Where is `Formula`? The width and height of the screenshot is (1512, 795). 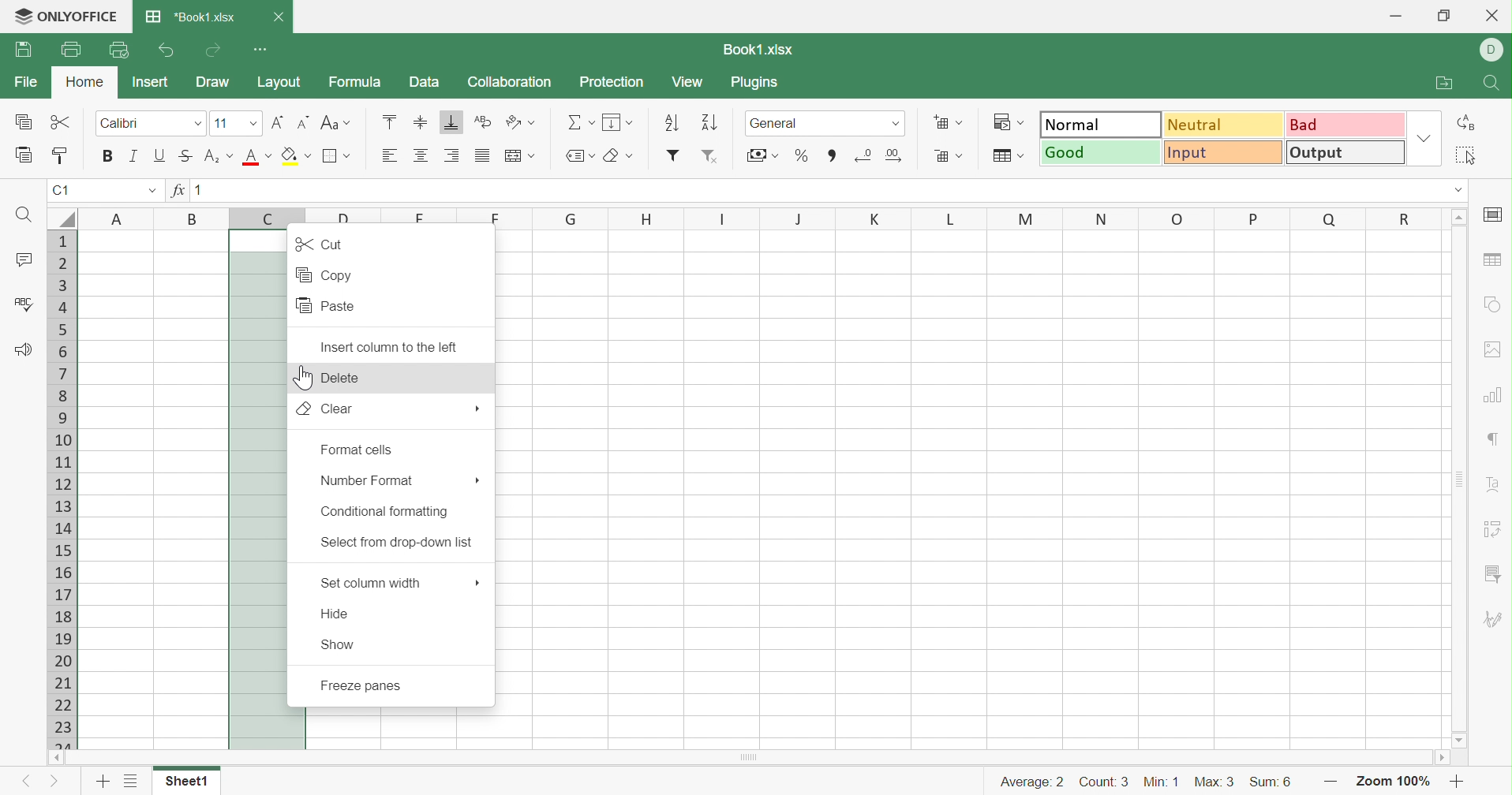 Formula is located at coordinates (358, 84).